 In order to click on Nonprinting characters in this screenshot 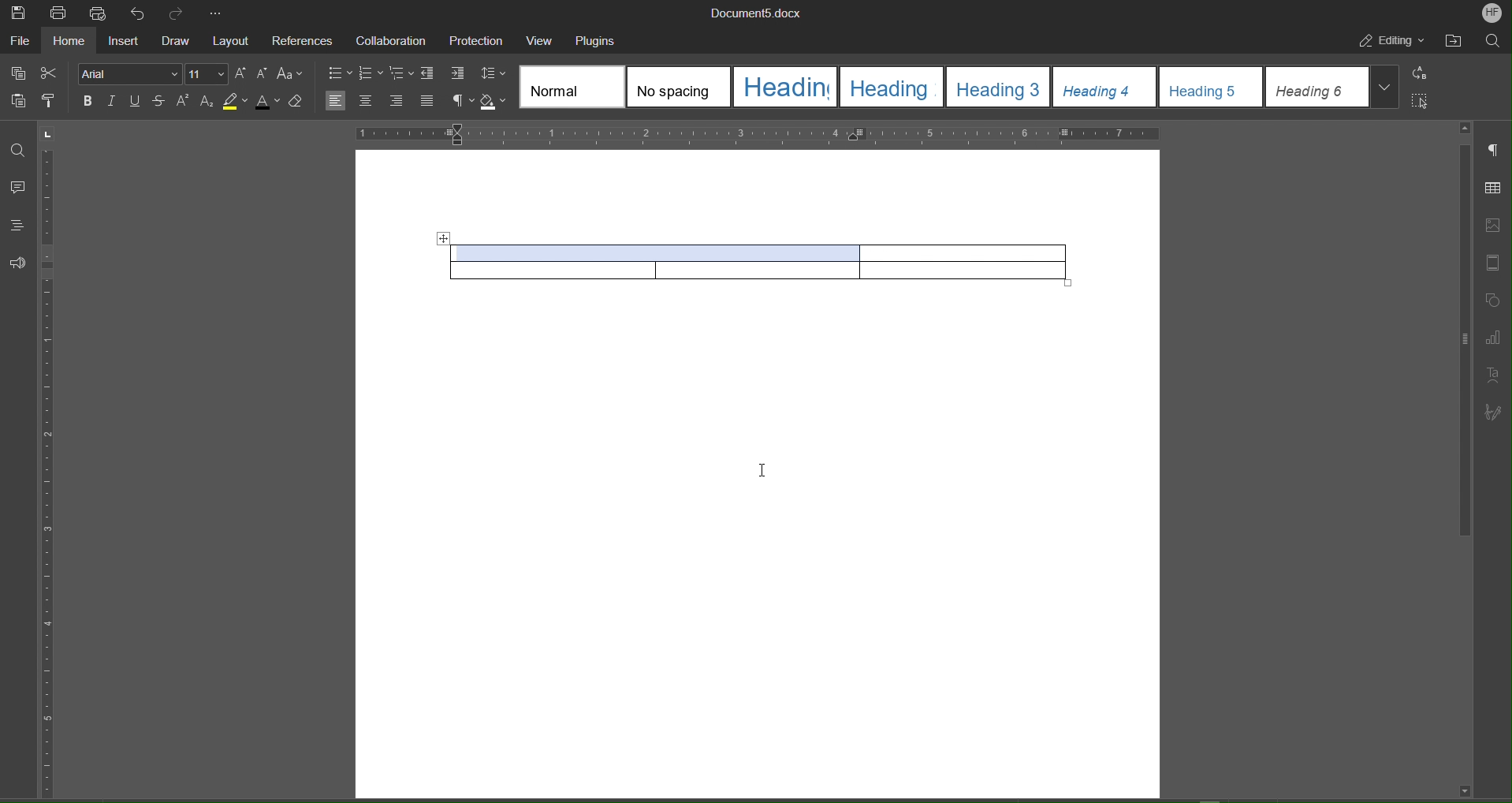, I will do `click(462, 102)`.